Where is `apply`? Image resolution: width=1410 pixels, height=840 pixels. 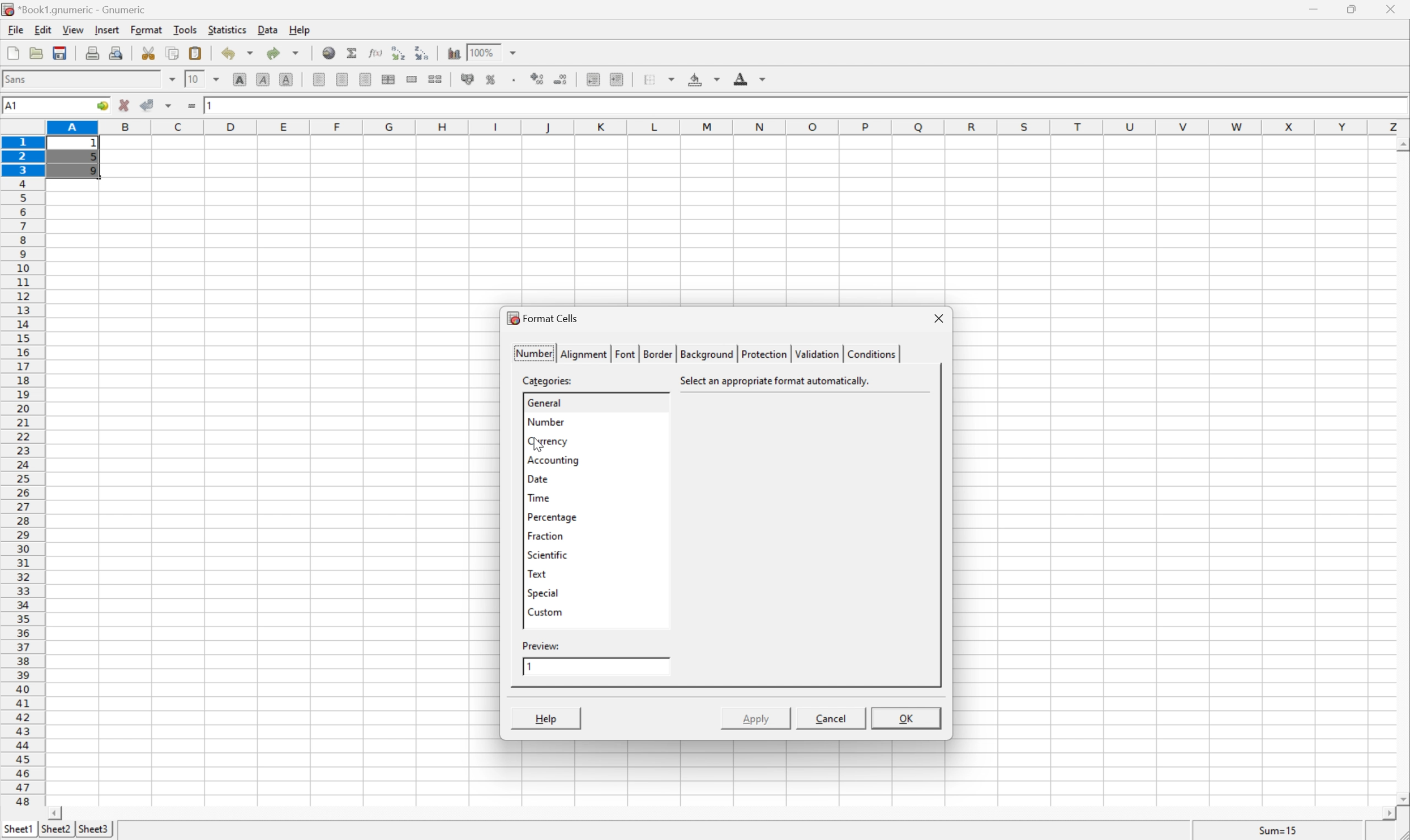 apply is located at coordinates (753, 718).